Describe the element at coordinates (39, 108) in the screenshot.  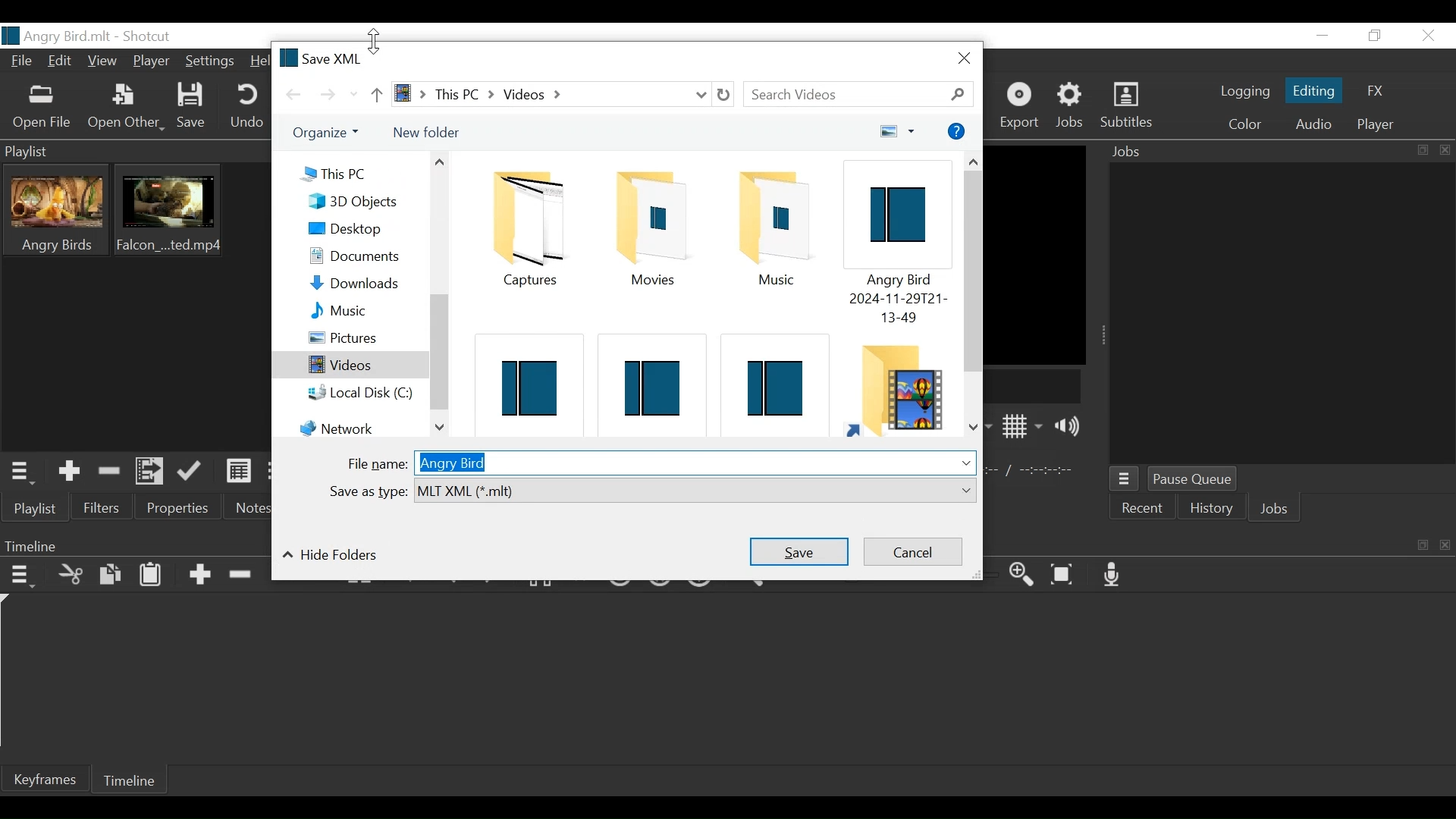
I see `Open File` at that location.